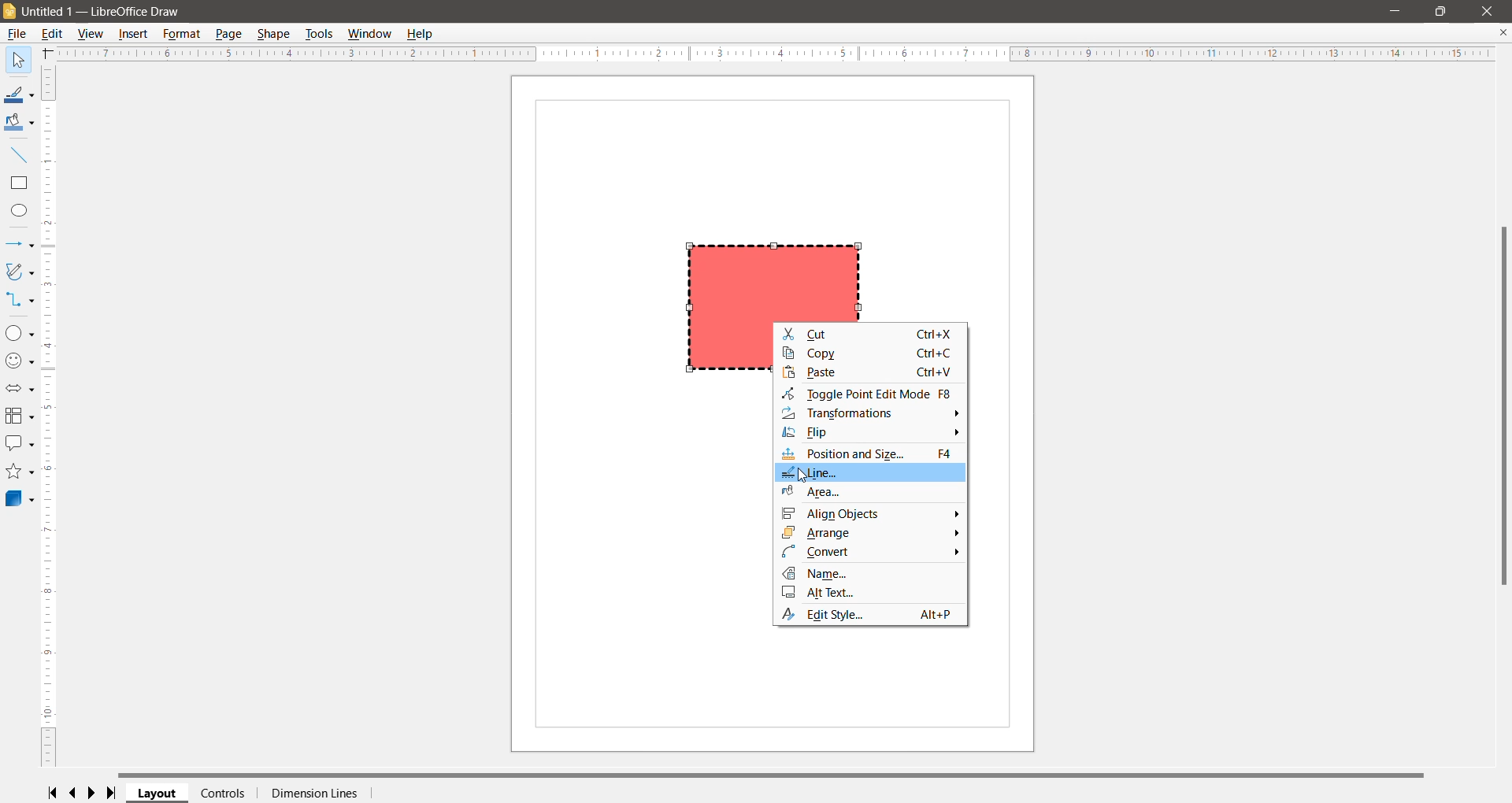 The width and height of the screenshot is (1512, 803). I want to click on Page, so click(229, 34).